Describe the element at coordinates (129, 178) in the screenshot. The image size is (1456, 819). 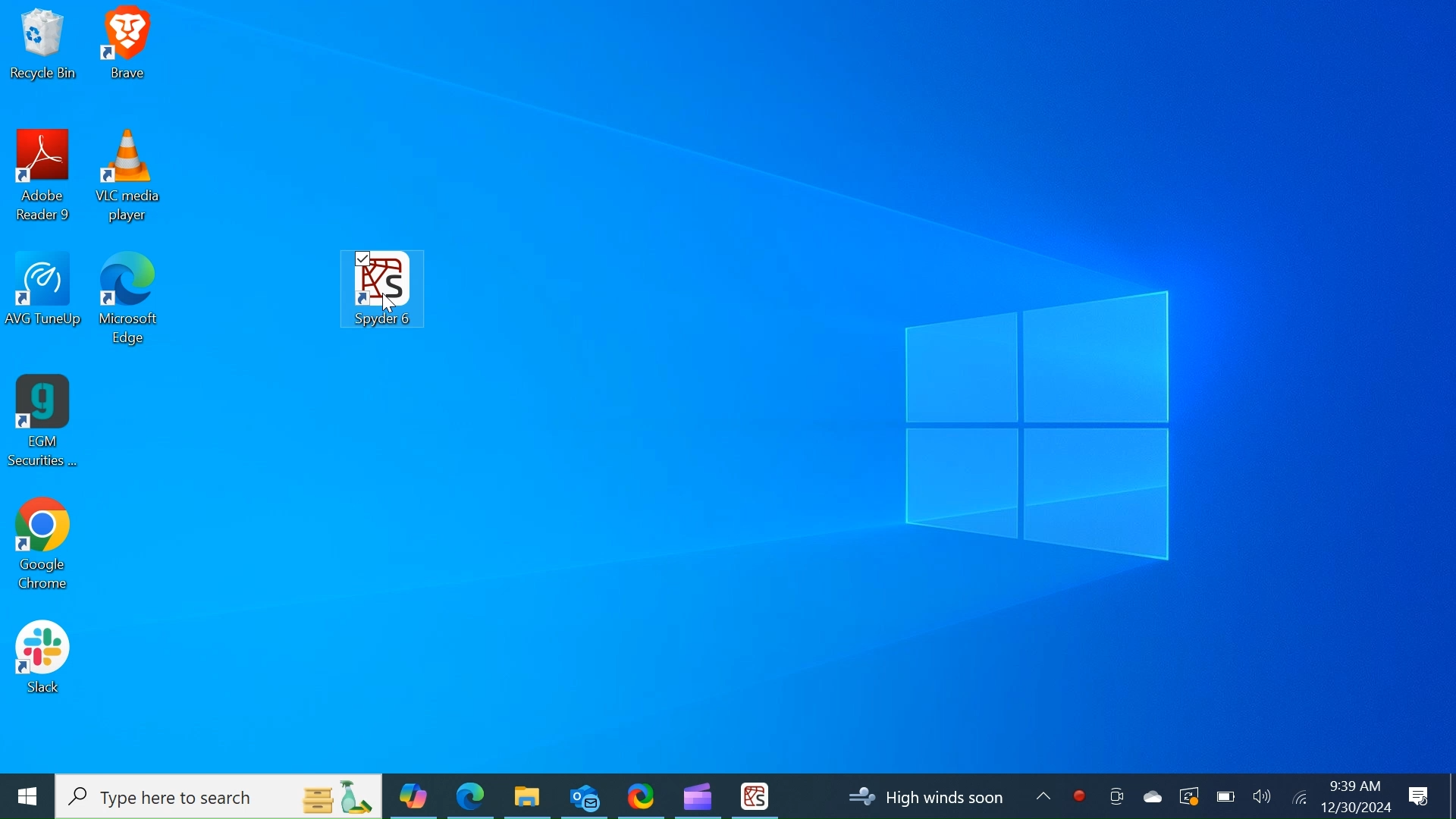
I see `VLC Media Desktop Icon` at that location.